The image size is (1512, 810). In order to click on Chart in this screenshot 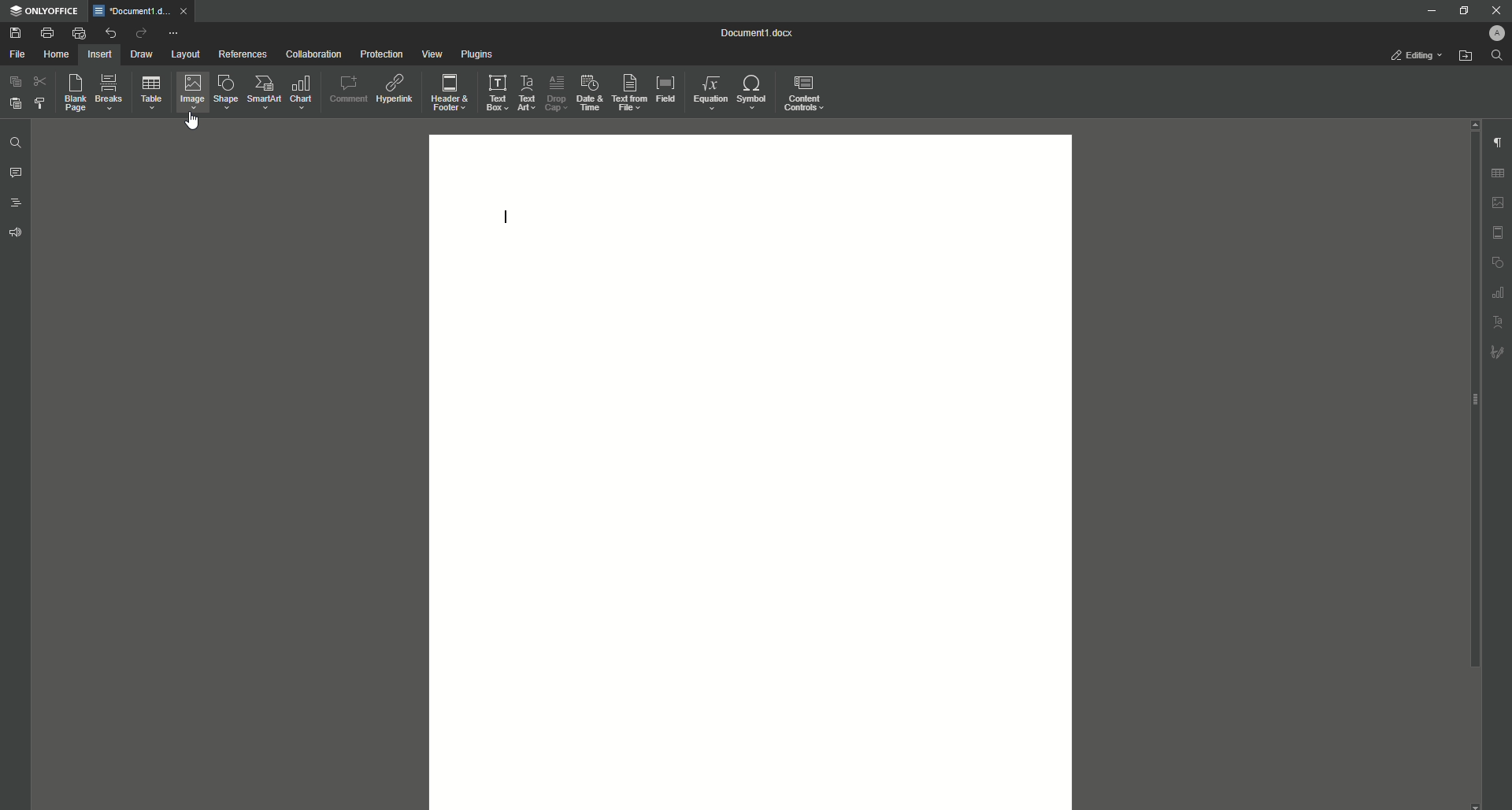, I will do `click(302, 93)`.